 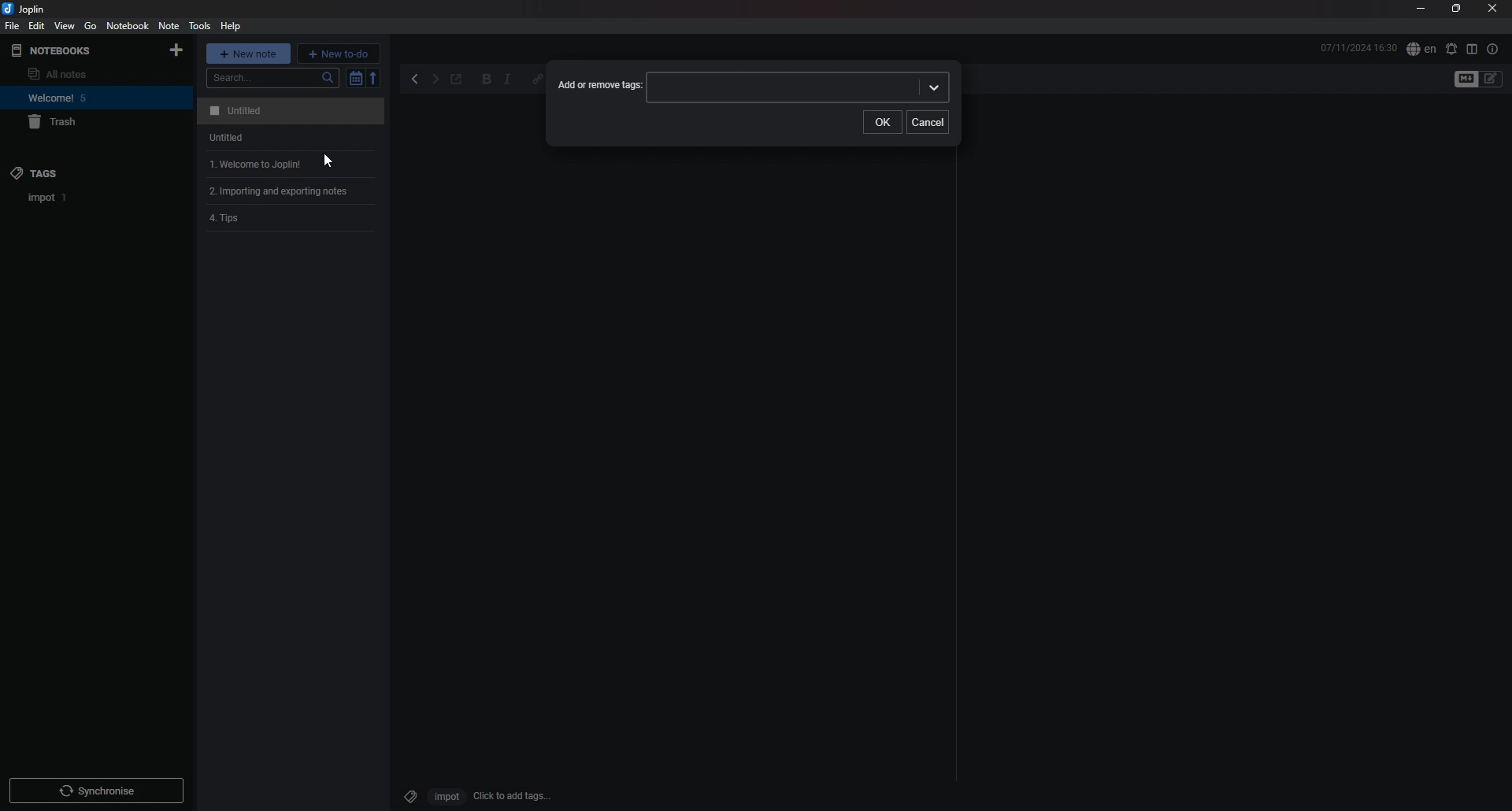 I want to click on tag, so click(x=48, y=198).